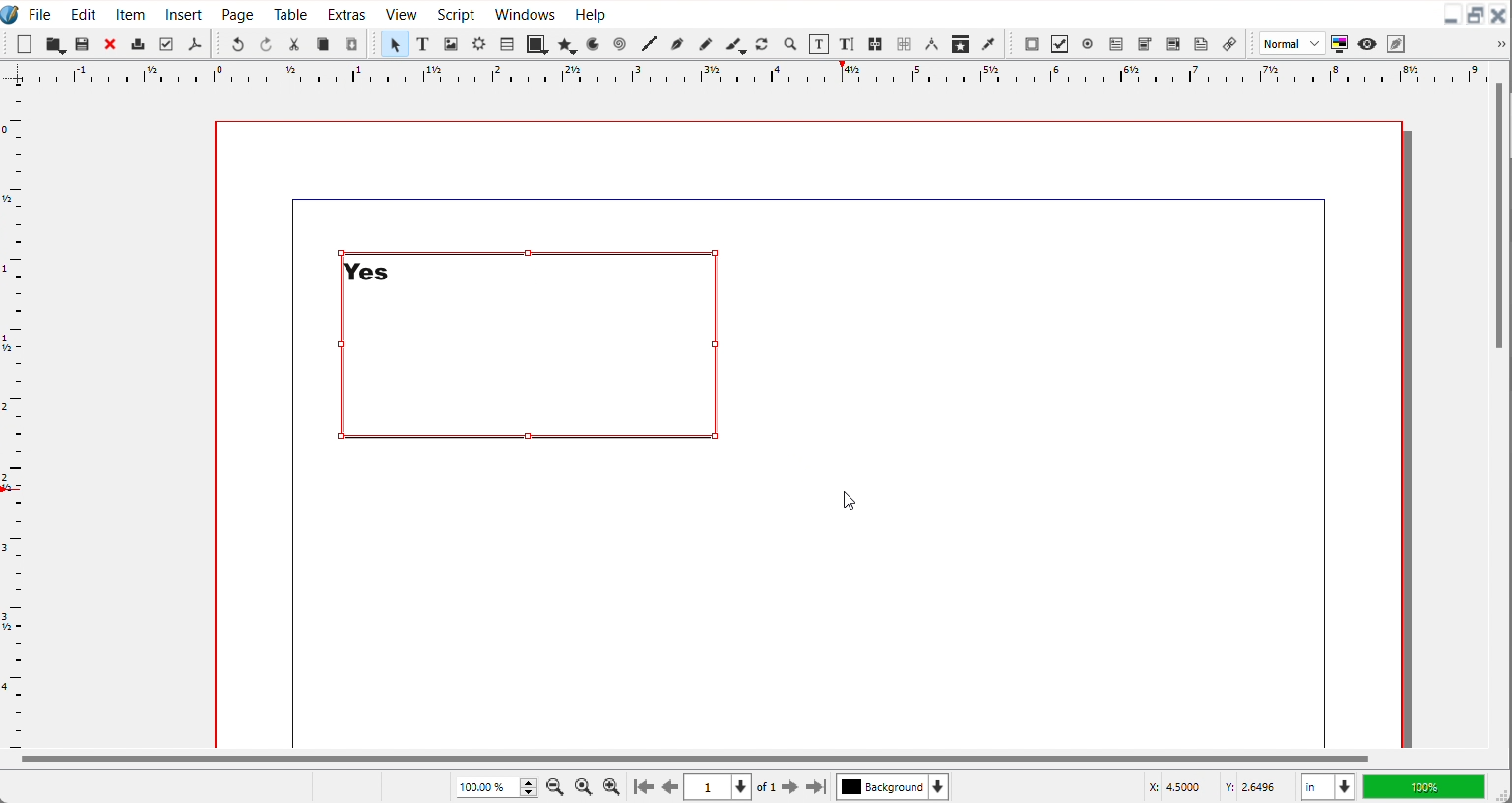 This screenshot has height=803, width=1512. Describe the element at coordinates (530, 345) in the screenshot. I see `Text Updated` at that location.